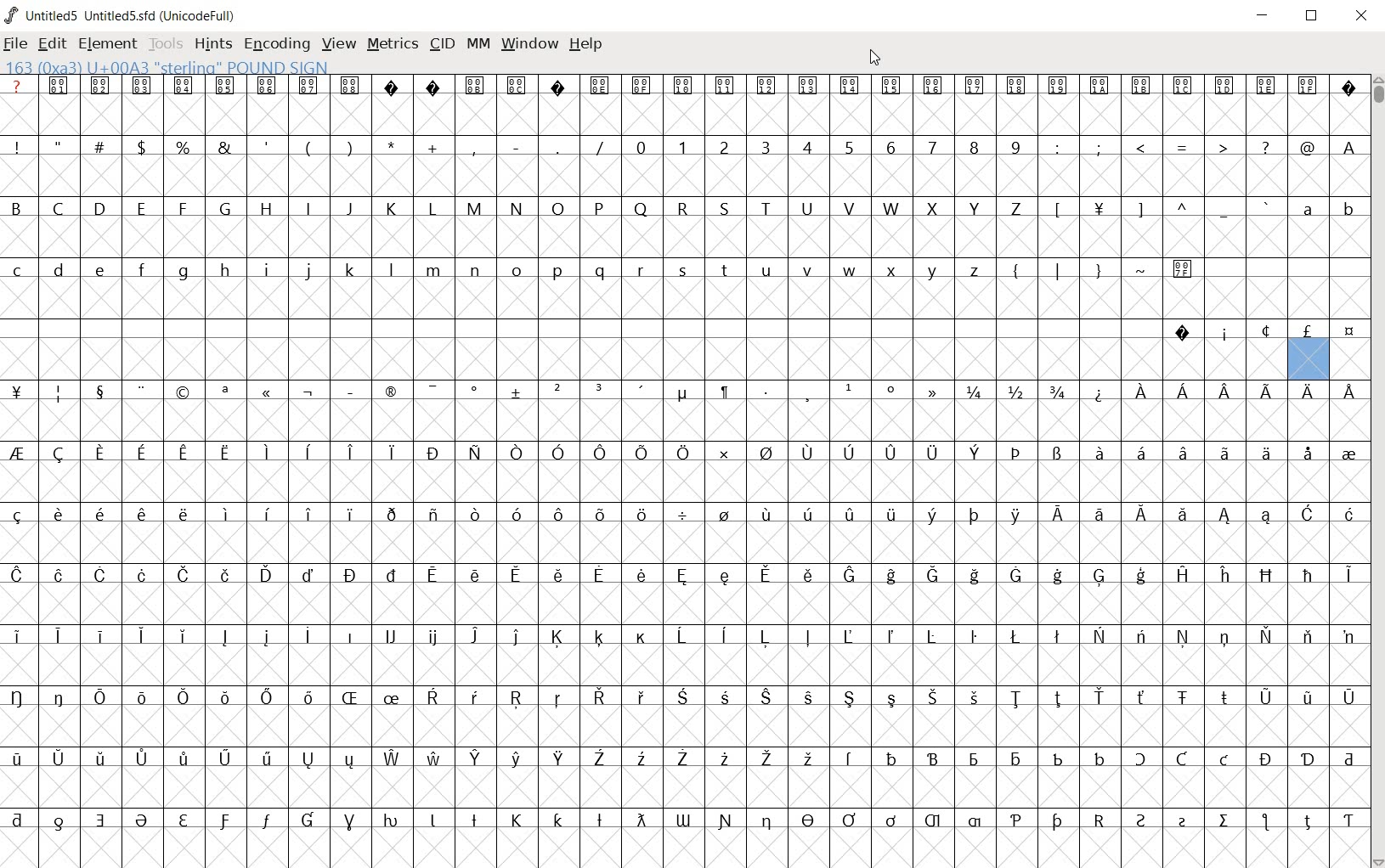 This screenshot has width=1385, height=868. What do you see at coordinates (18, 85) in the screenshot?
I see `?` at bounding box center [18, 85].